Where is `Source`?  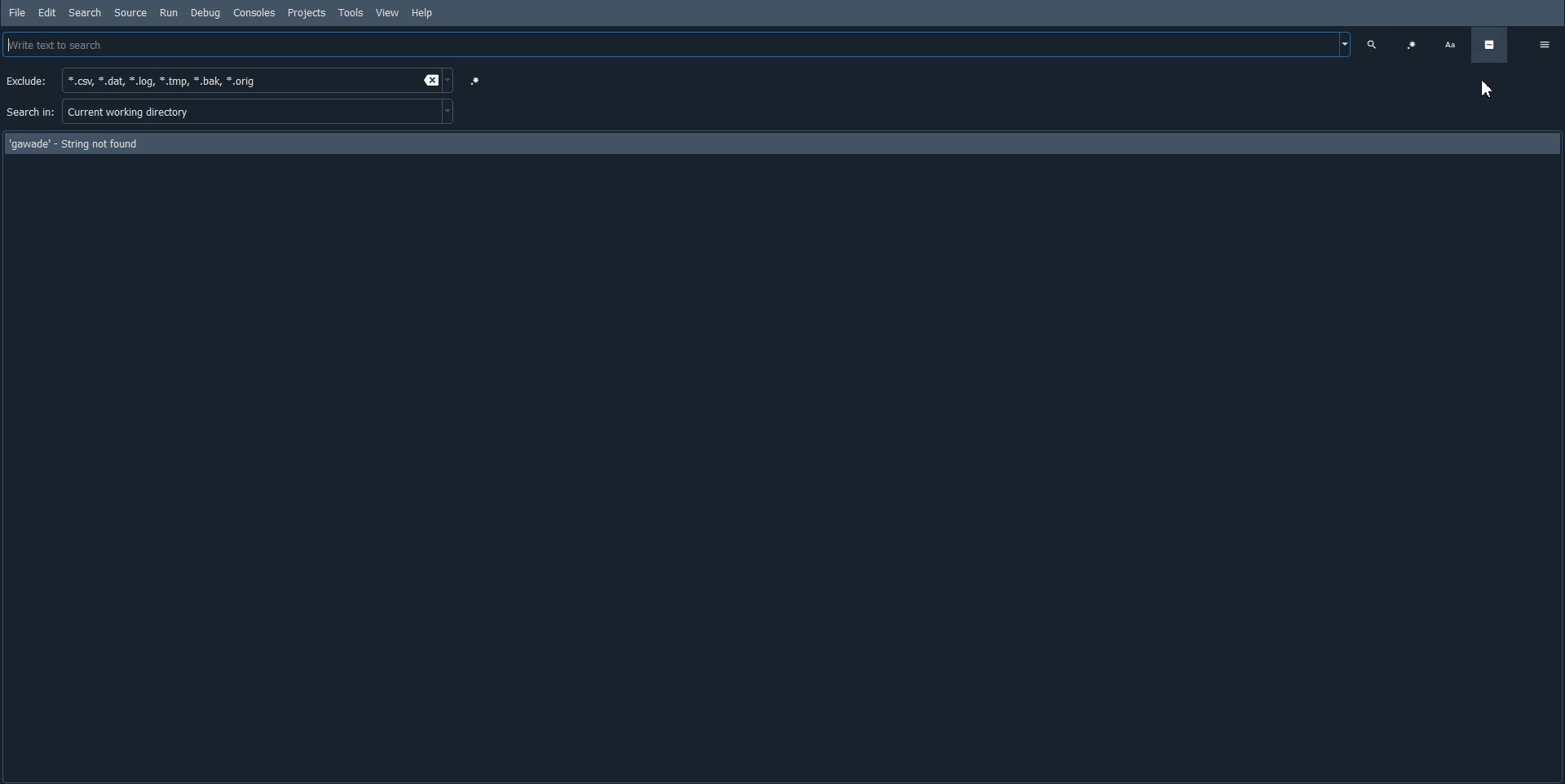
Source is located at coordinates (131, 12).